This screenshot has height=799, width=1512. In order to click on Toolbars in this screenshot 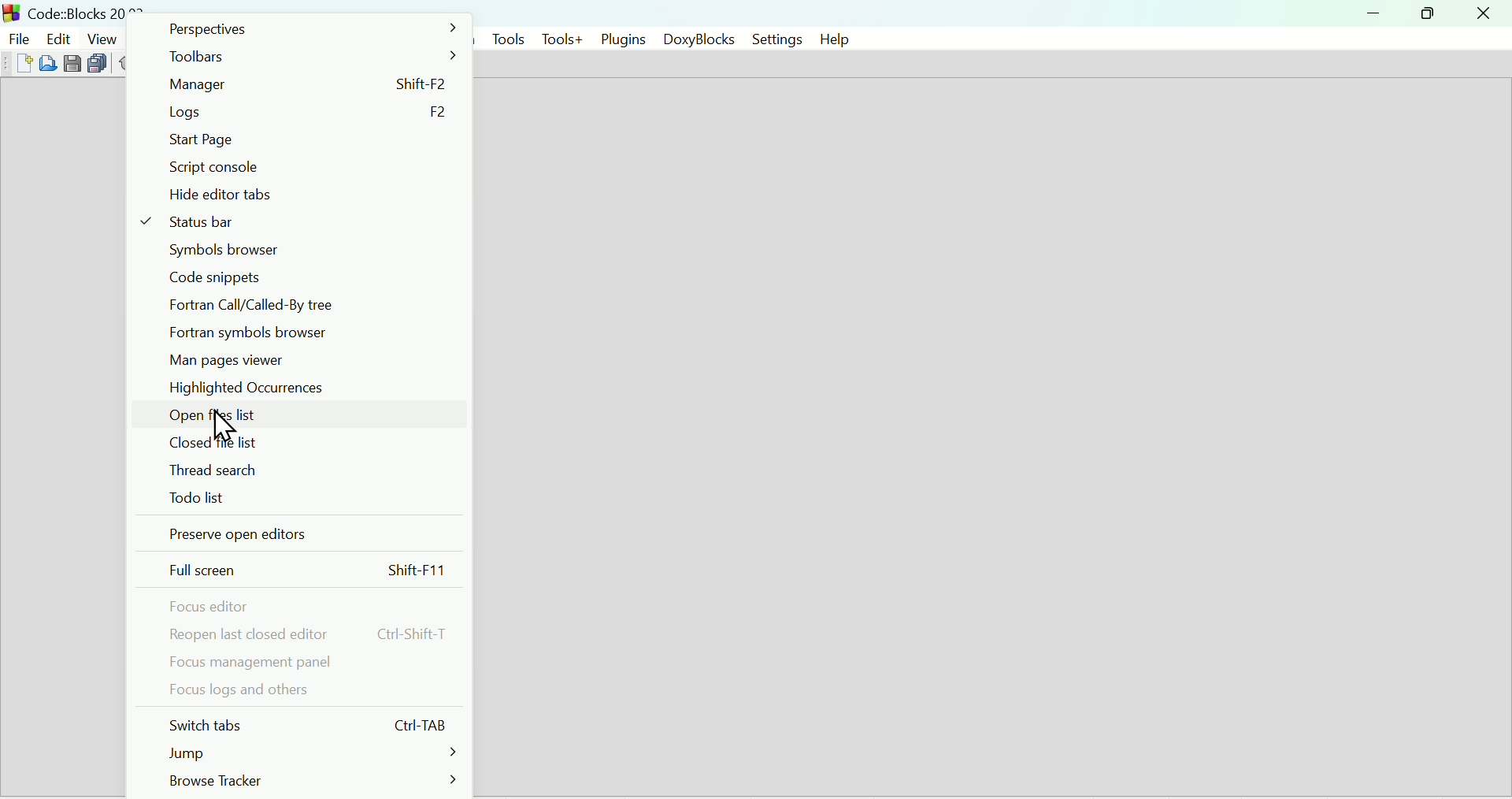, I will do `click(307, 55)`.